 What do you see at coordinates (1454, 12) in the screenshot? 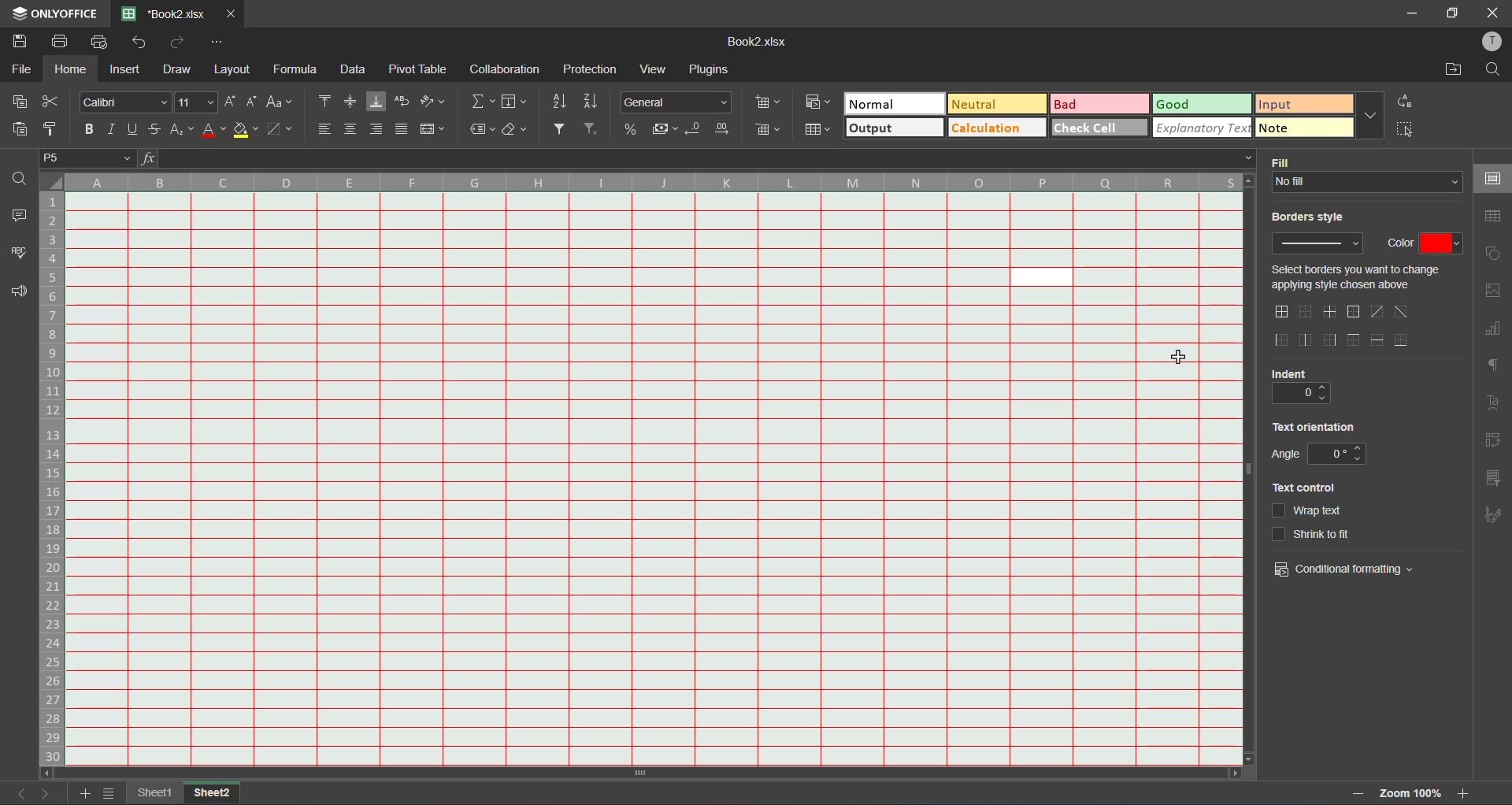
I see `maximize` at bounding box center [1454, 12].